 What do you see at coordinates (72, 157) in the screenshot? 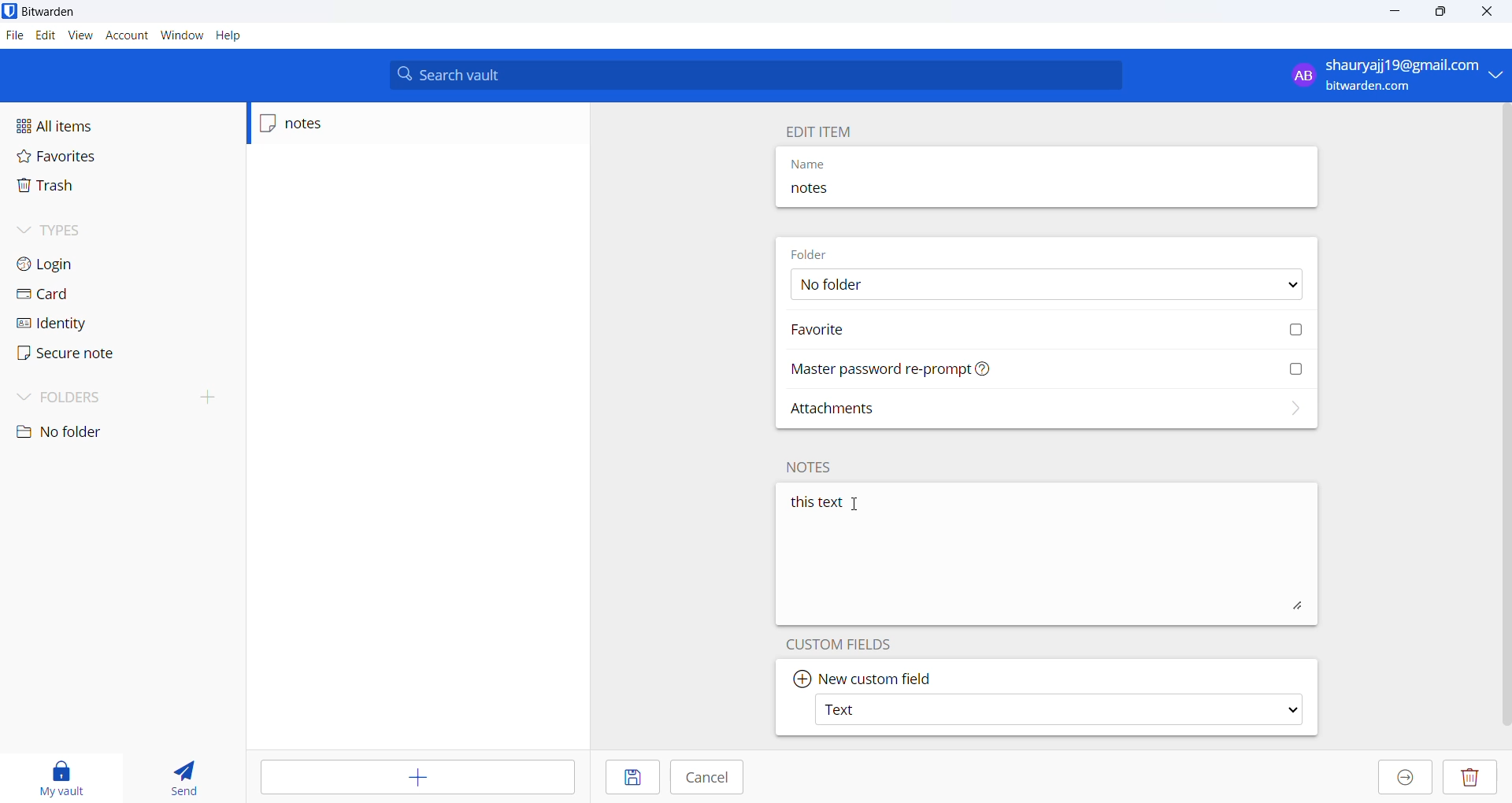
I see `favorites` at bounding box center [72, 157].